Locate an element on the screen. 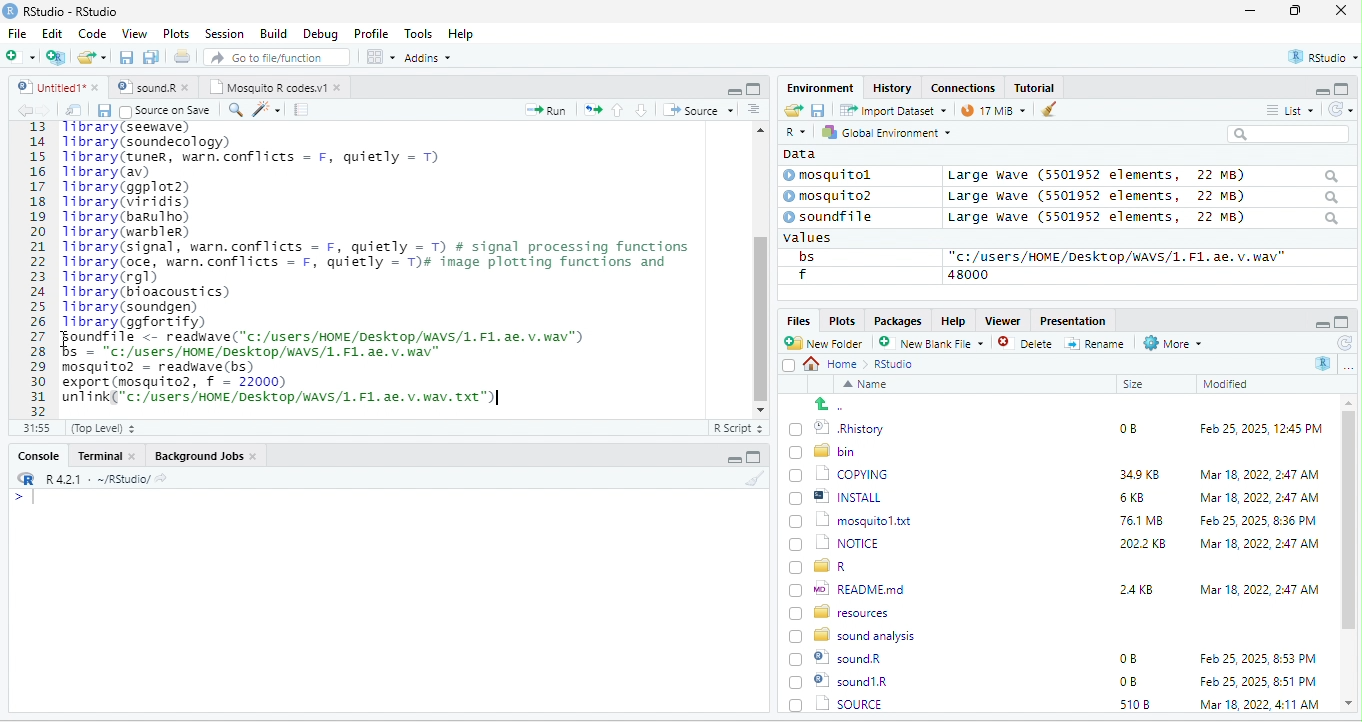 Image resolution: width=1362 pixels, height=722 pixels. 349K8 is located at coordinates (1140, 475).